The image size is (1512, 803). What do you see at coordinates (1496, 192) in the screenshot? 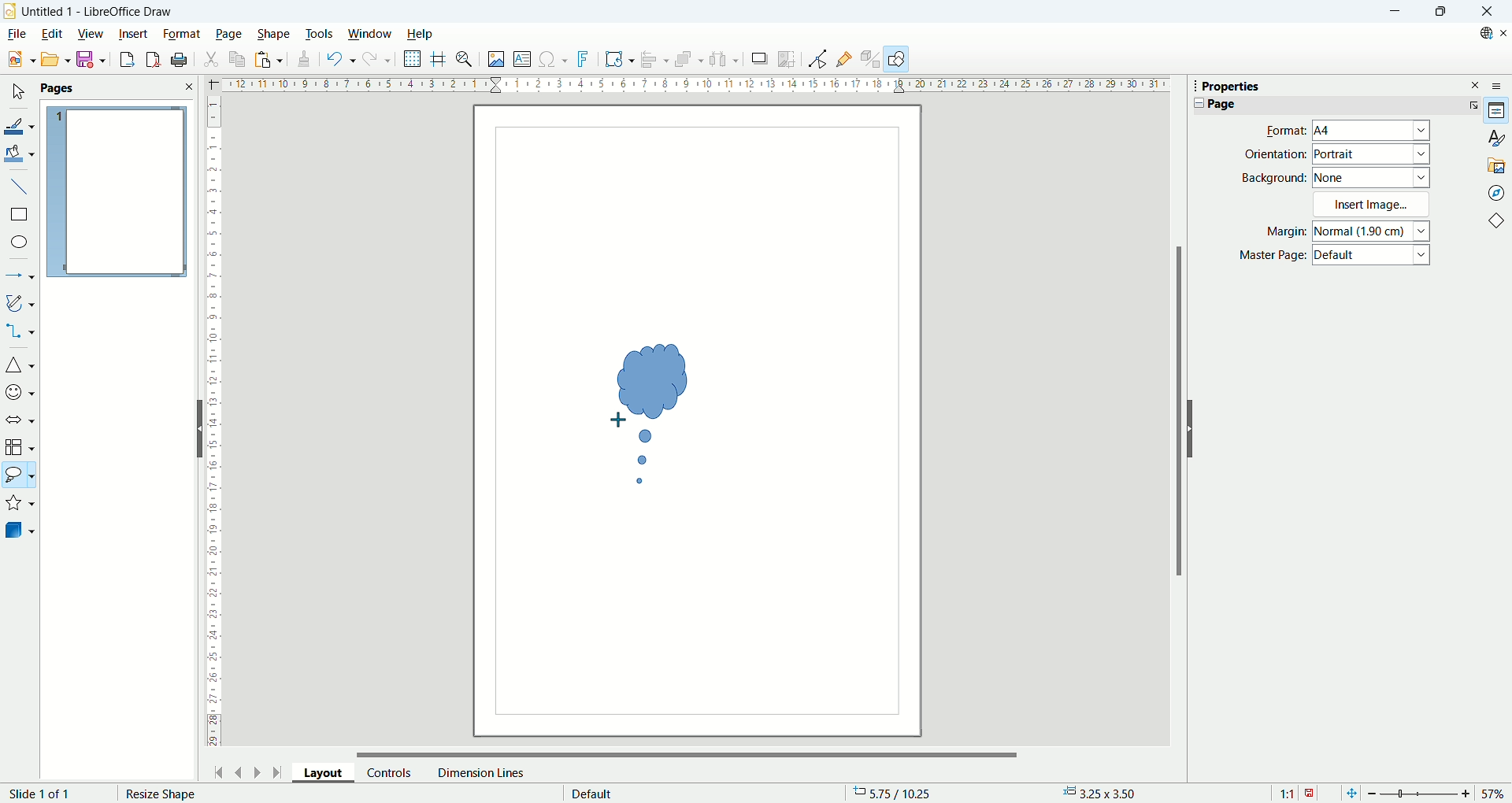
I see `Navigator` at bounding box center [1496, 192].